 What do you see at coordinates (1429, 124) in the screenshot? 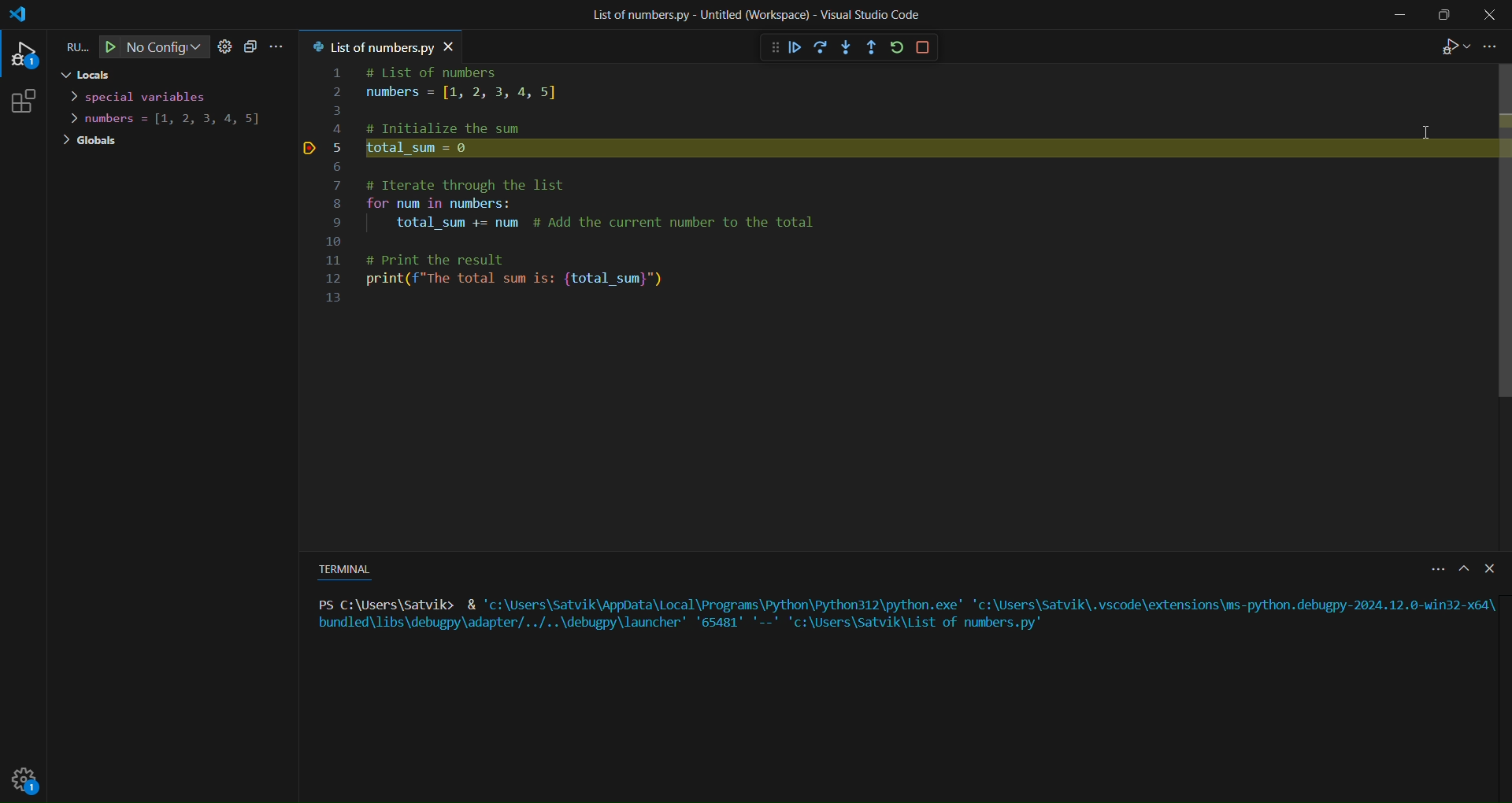
I see `cursor` at bounding box center [1429, 124].